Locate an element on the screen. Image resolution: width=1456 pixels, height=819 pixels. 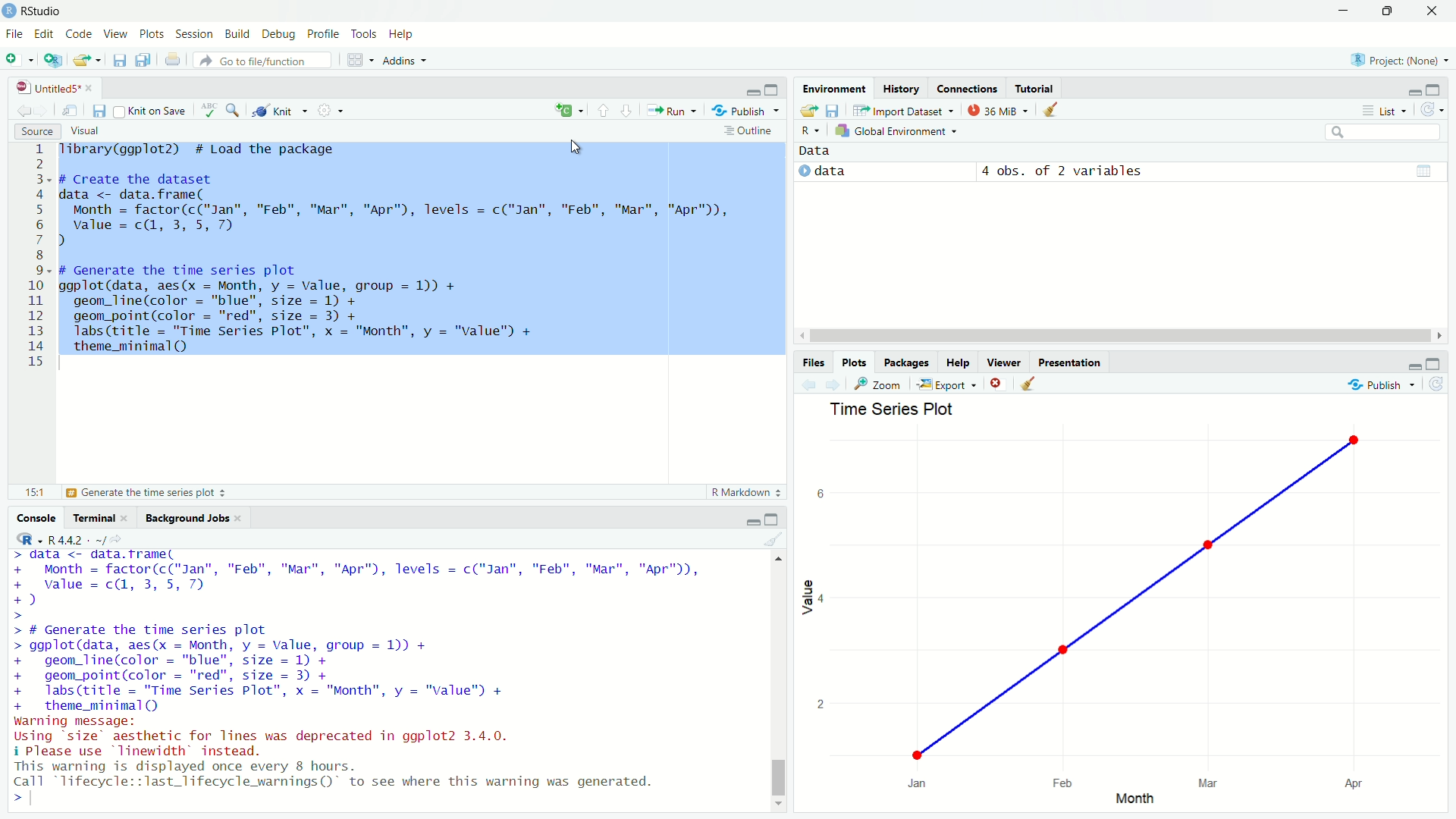
minimize is located at coordinates (751, 87).